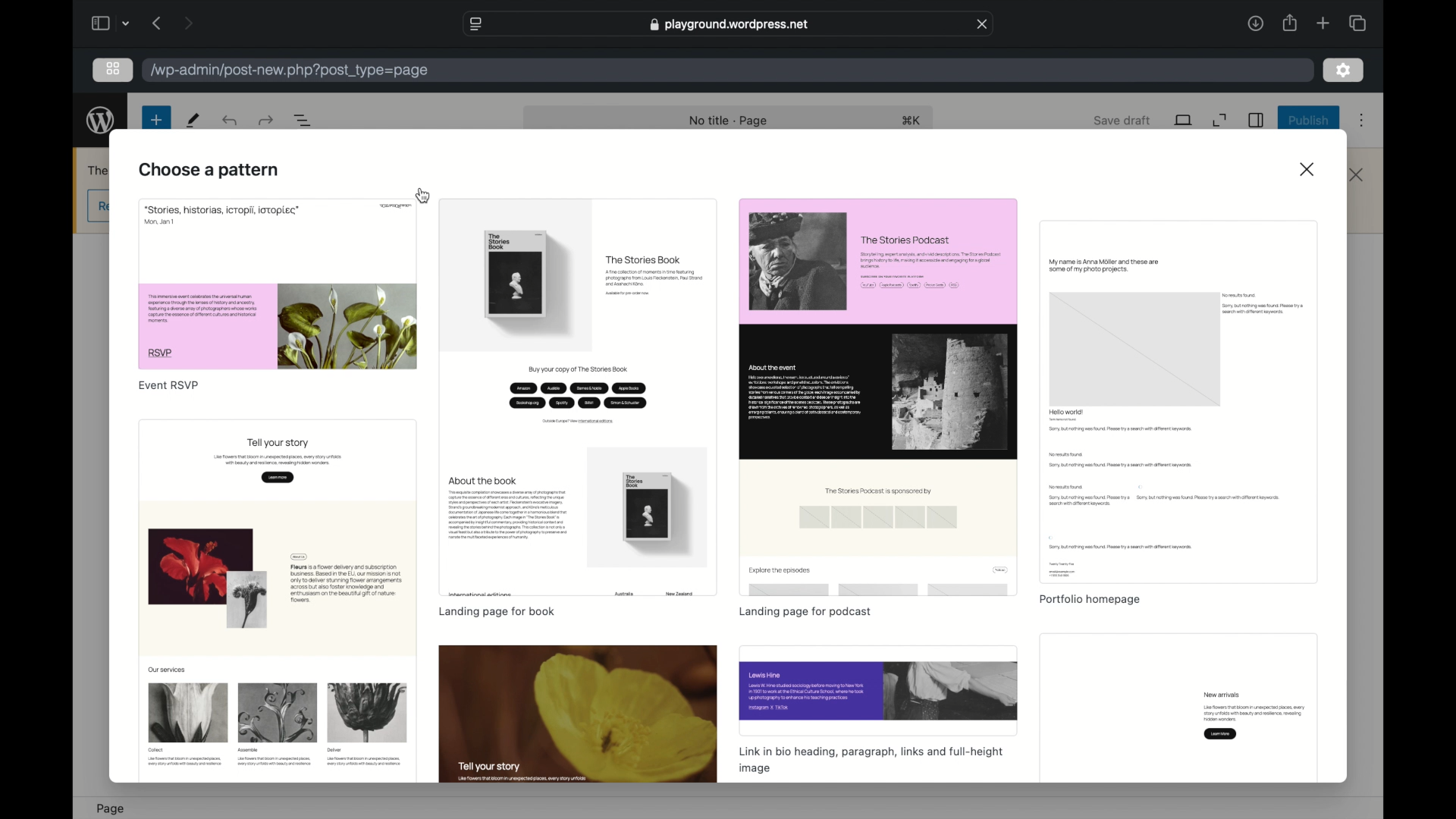 The width and height of the screenshot is (1456, 819). I want to click on close, so click(1357, 175).